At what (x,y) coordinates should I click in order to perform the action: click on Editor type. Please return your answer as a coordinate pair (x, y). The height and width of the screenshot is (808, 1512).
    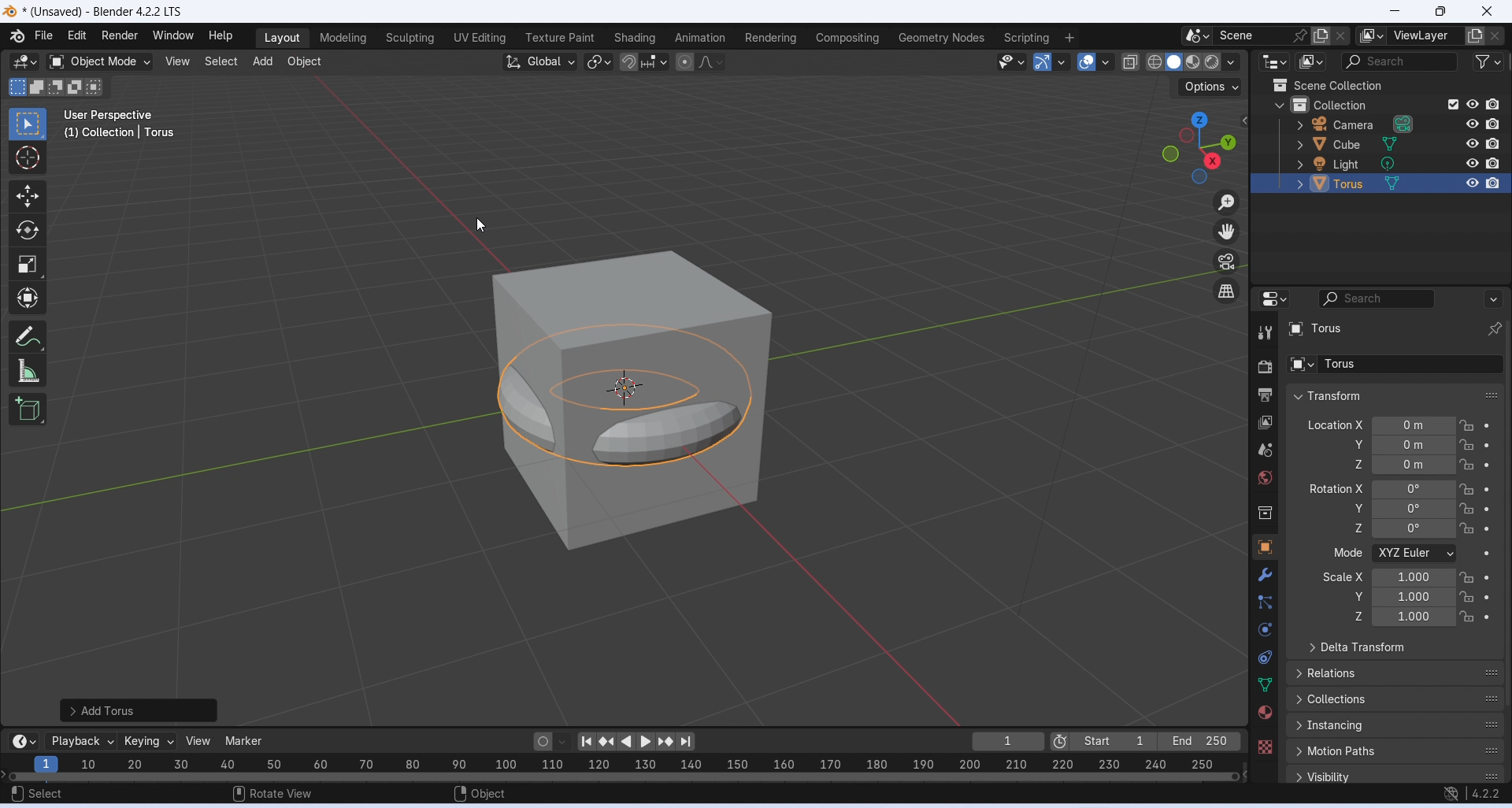
    Looking at the image, I should click on (22, 62).